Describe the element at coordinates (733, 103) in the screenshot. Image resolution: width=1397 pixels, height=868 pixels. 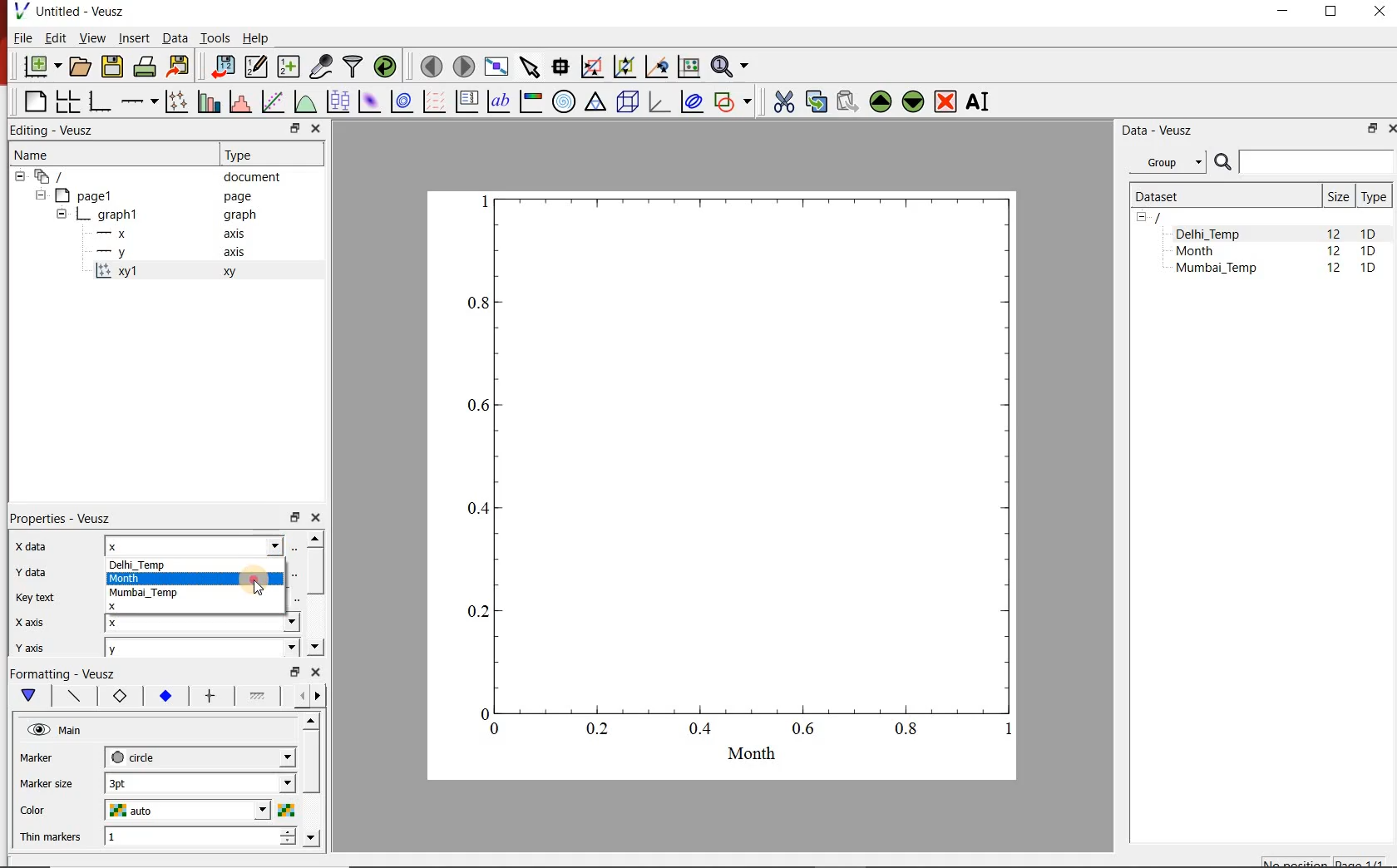
I see `add a shape to the plot` at that location.